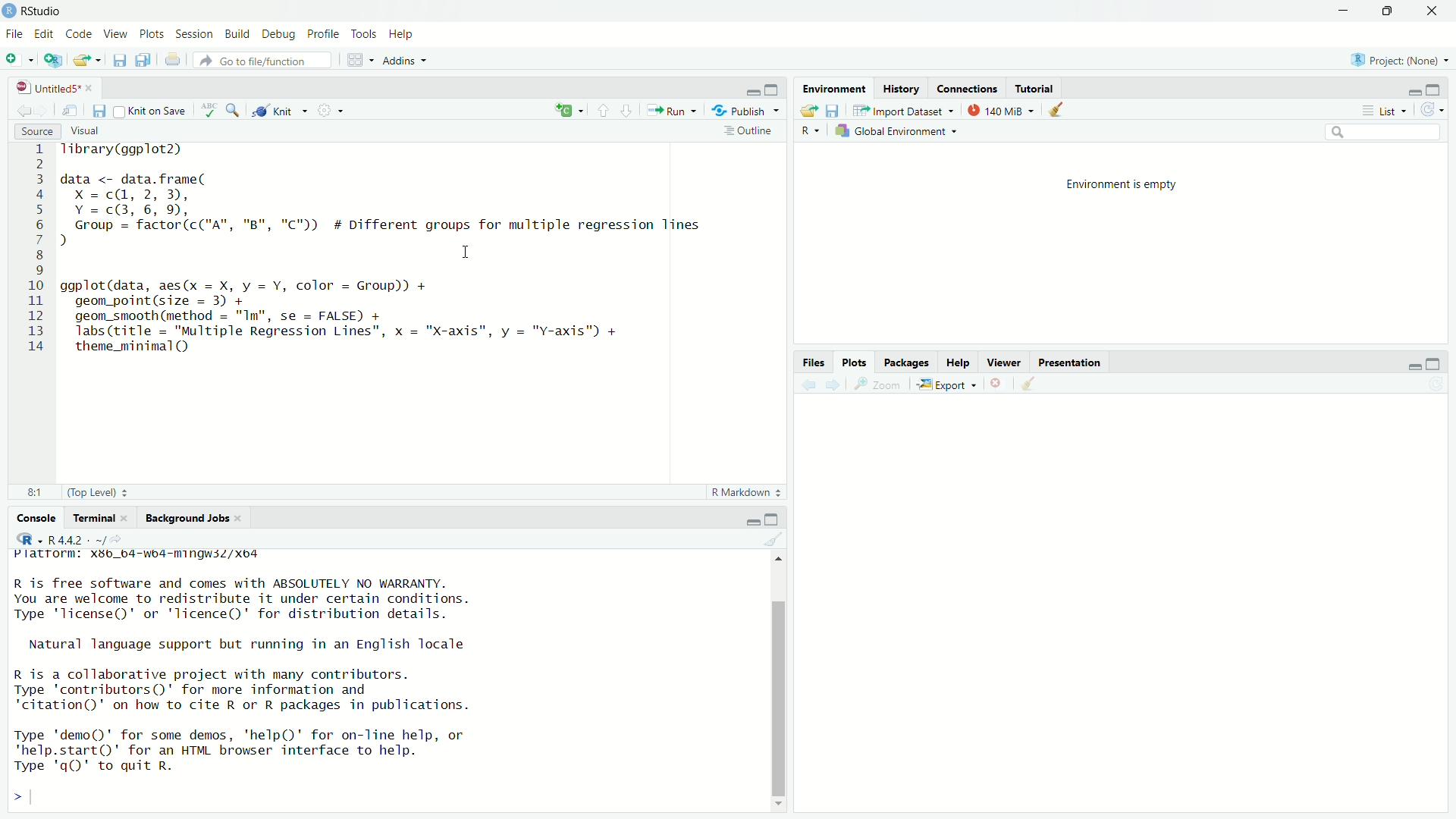 This screenshot has width=1456, height=819. I want to click on Run +, so click(676, 110).